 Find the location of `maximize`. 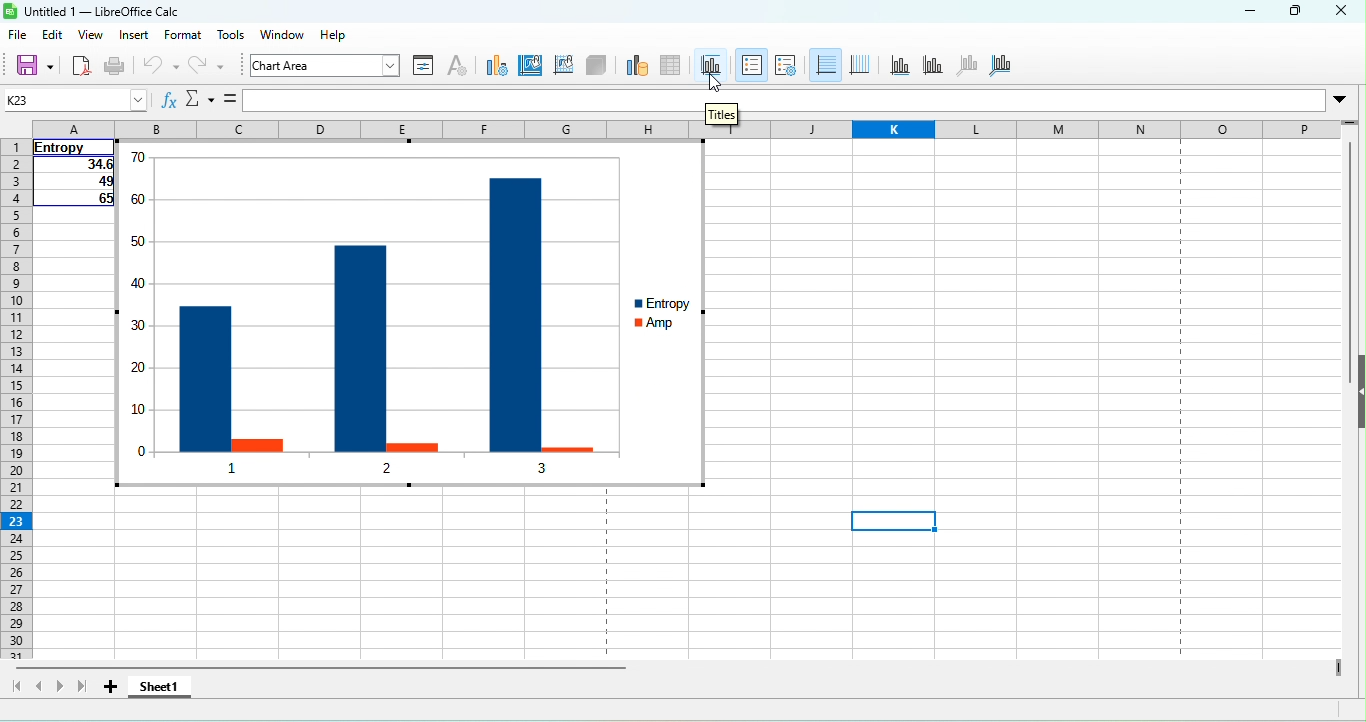

maximize is located at coordinates (1299, 10).